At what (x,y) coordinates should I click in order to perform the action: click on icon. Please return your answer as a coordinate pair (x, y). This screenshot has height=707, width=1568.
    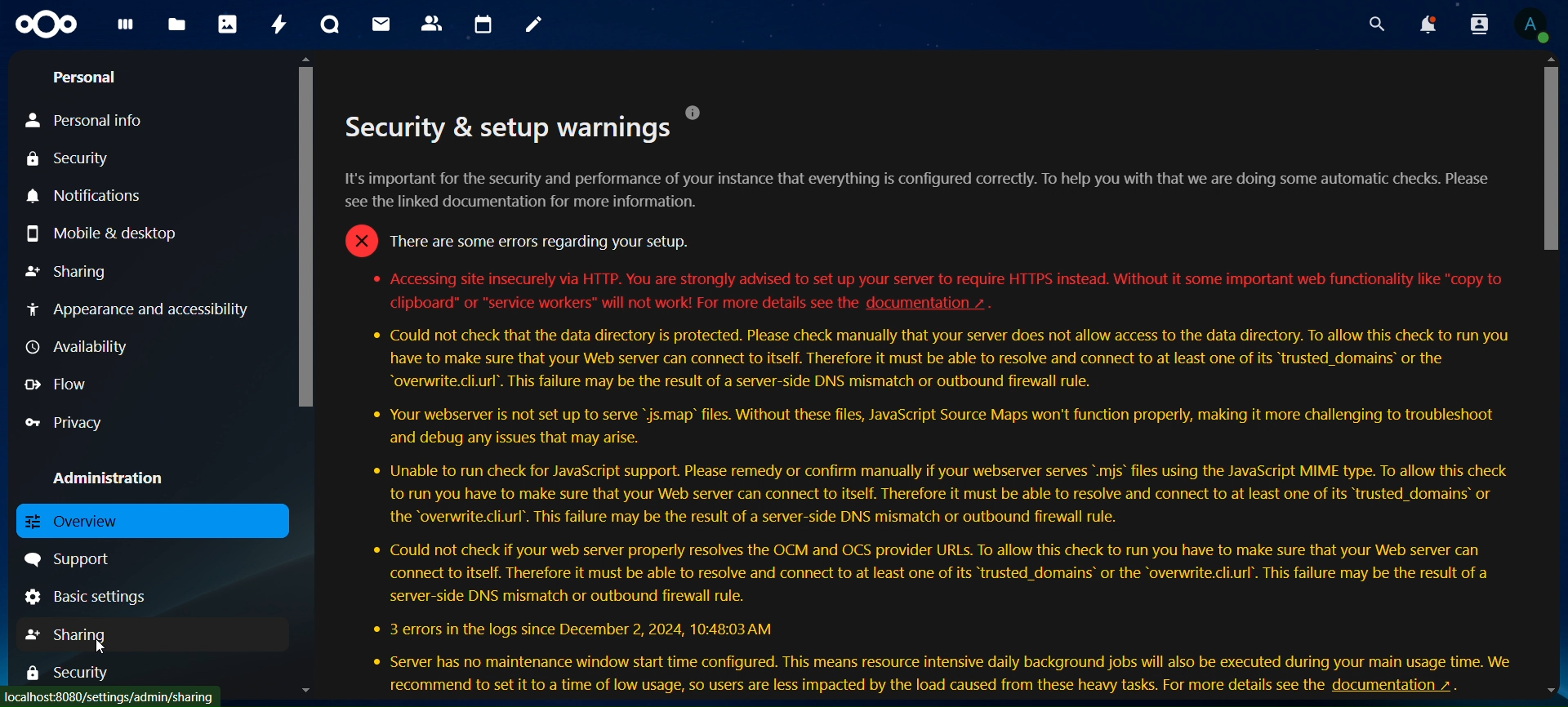
    Looking at the image, I should click on (46, 25).